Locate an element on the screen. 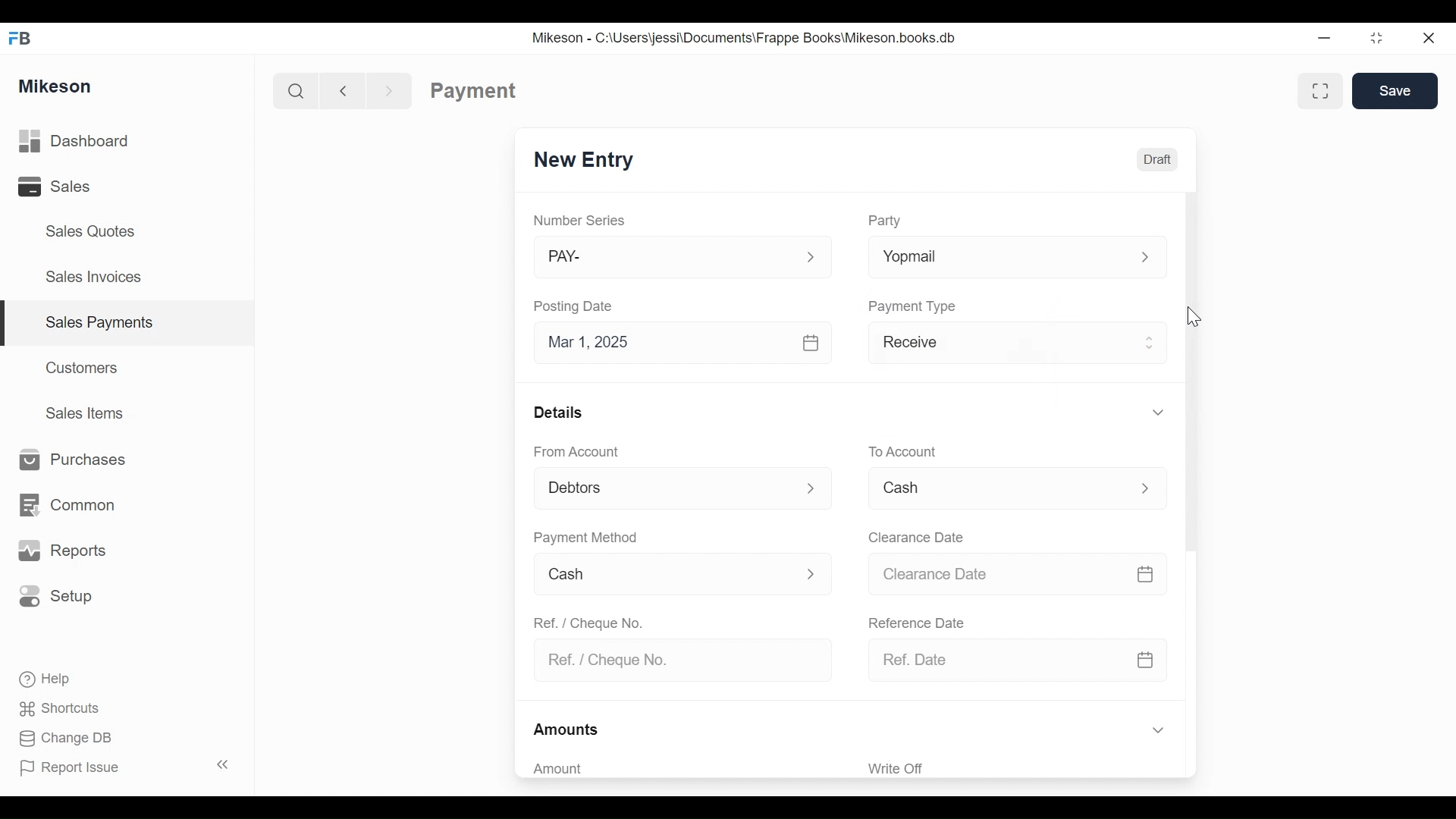 This screenshot has height=819, width=1456. Yopmal is located at coordinates (1019, 256).